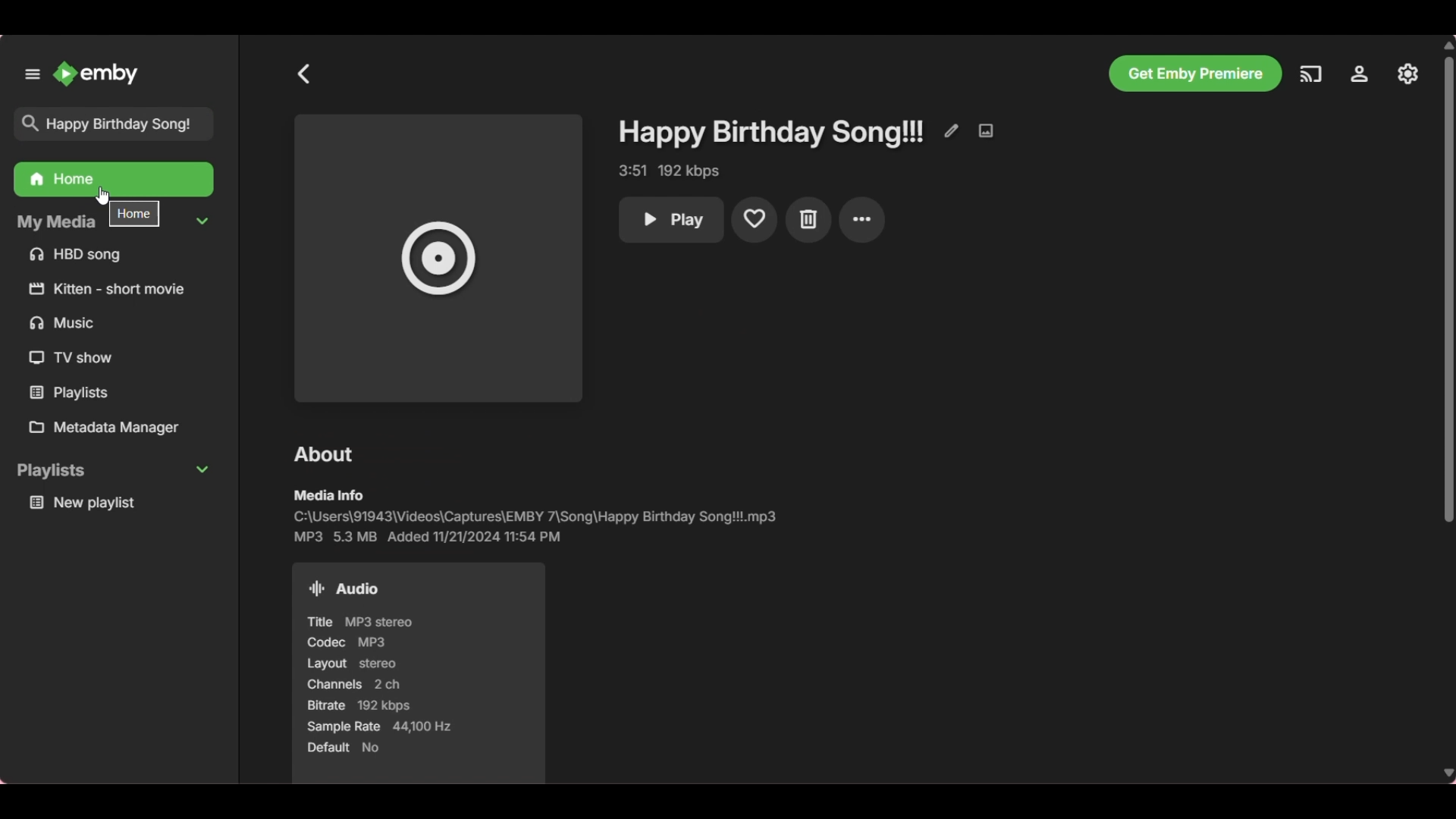 The width and height of the screenshot is (1456, 819). What do you see at coordinates (104, 196) in the screenshot?
I see `Cursor ` at bounding box center [104, 196].